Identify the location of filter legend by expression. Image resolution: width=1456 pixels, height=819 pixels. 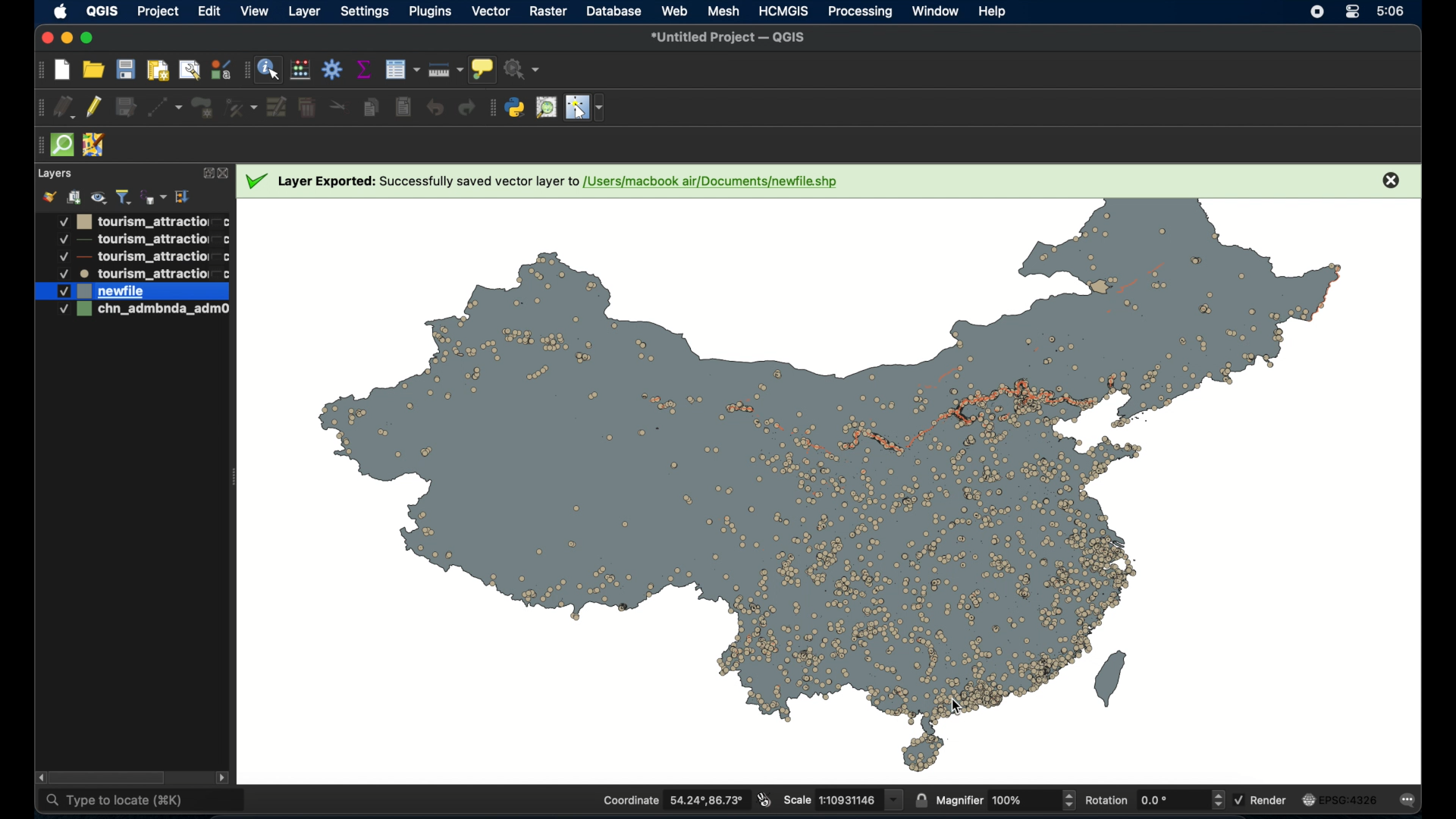
(154, 195).